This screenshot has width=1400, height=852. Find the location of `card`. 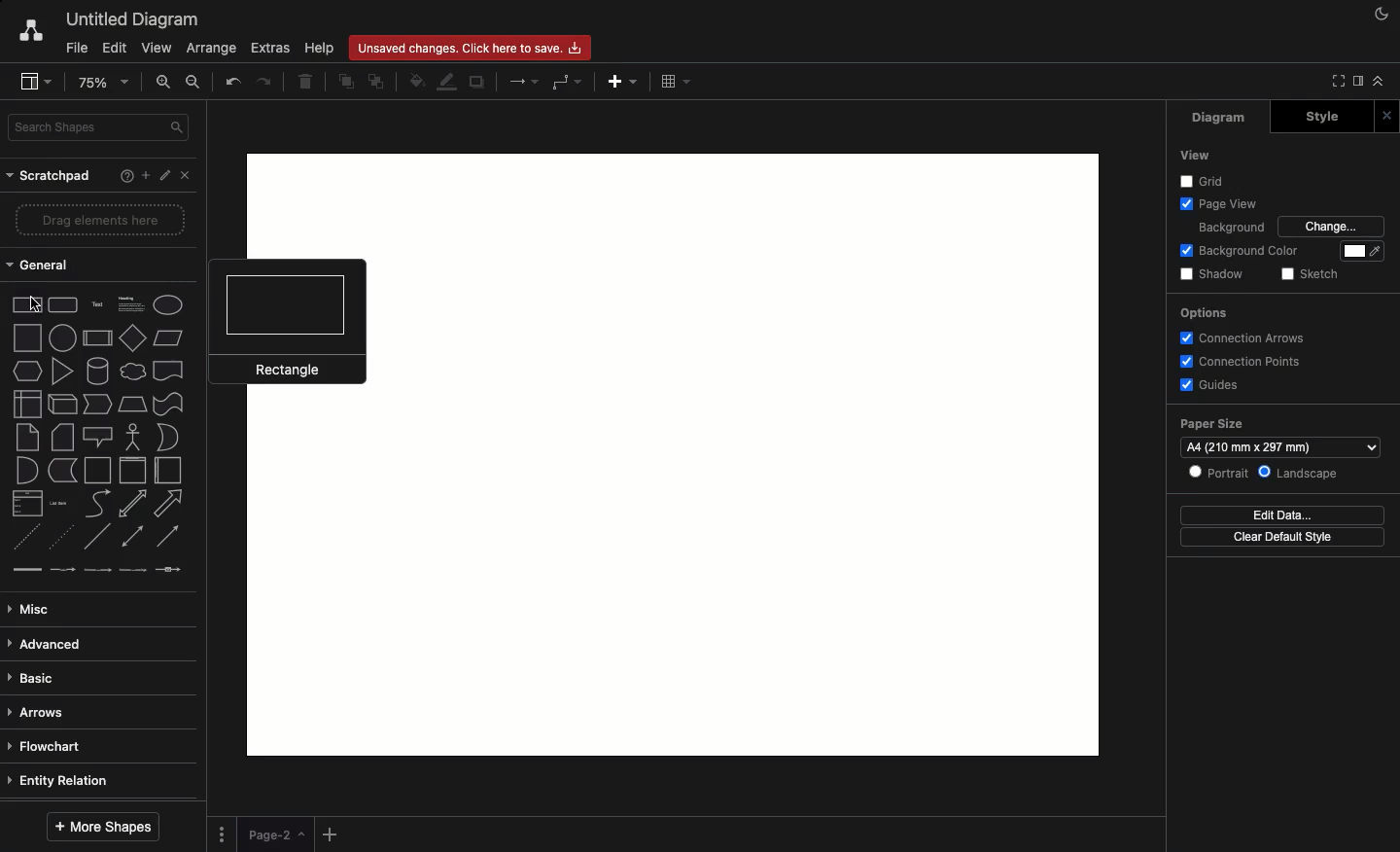

card is located at coordinates (60, 436).